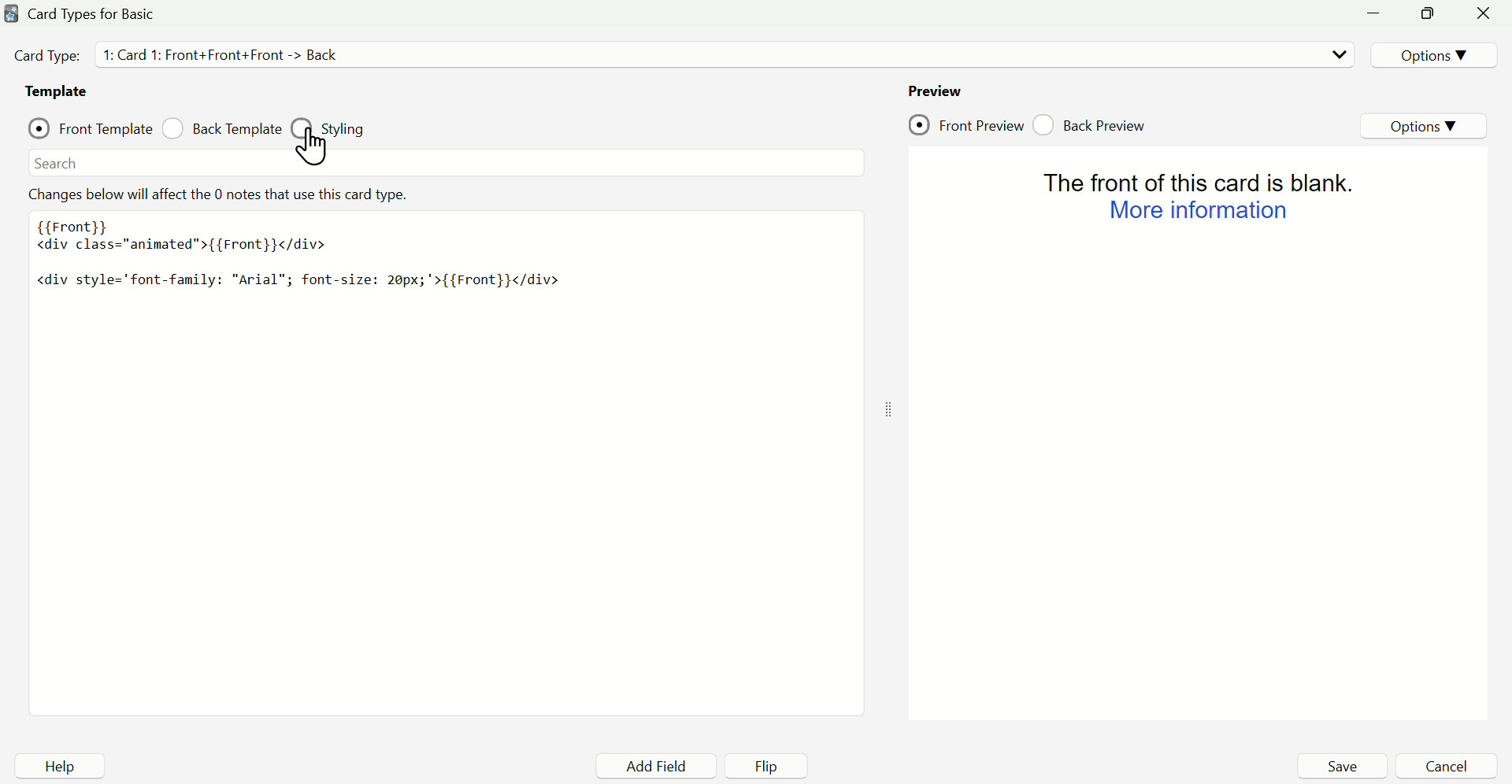  I want to click on Back Template, so click(221, 131).